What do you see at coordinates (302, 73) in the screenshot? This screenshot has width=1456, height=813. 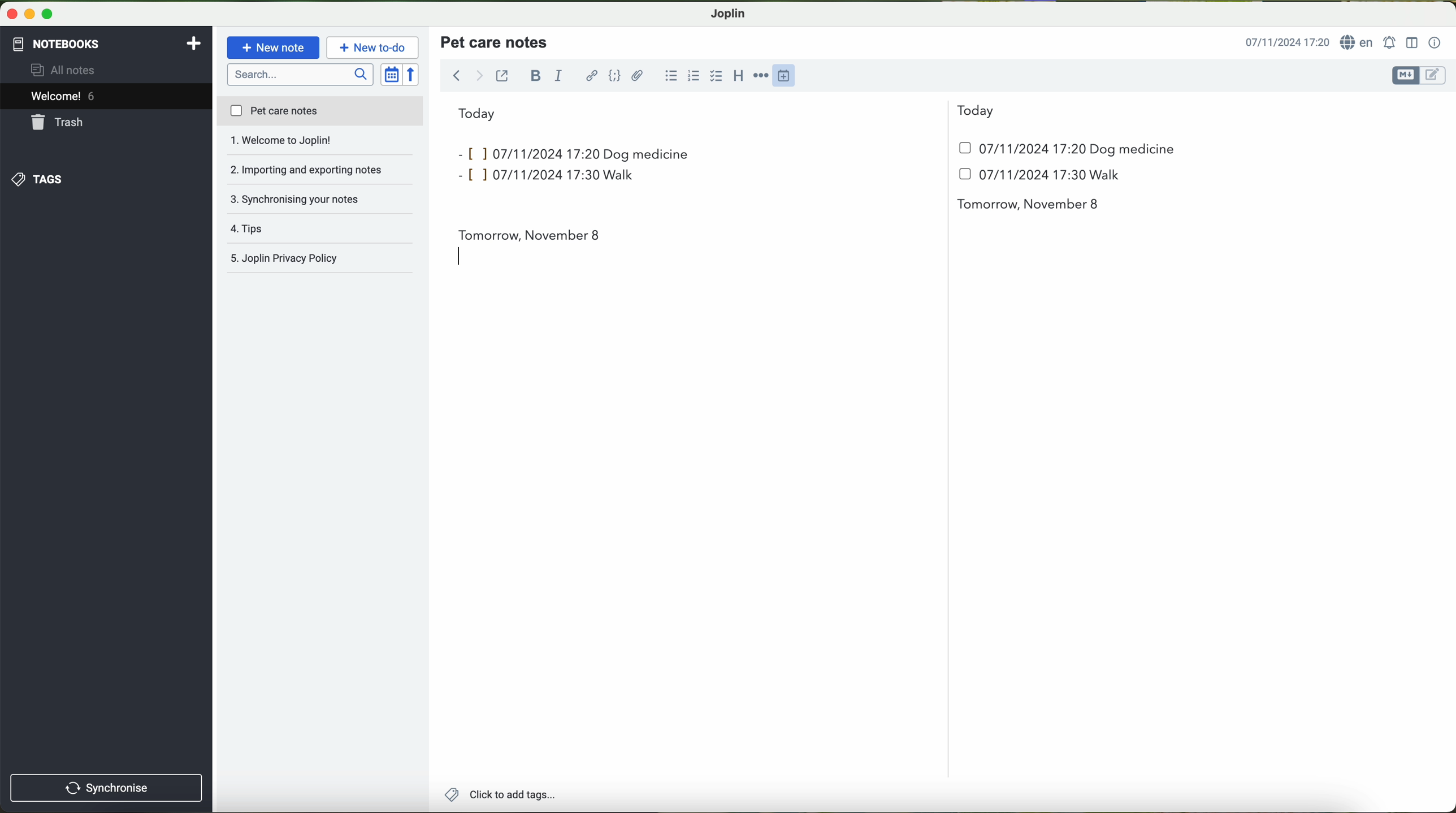 I see `search bar` at bounding box center [302, 73].